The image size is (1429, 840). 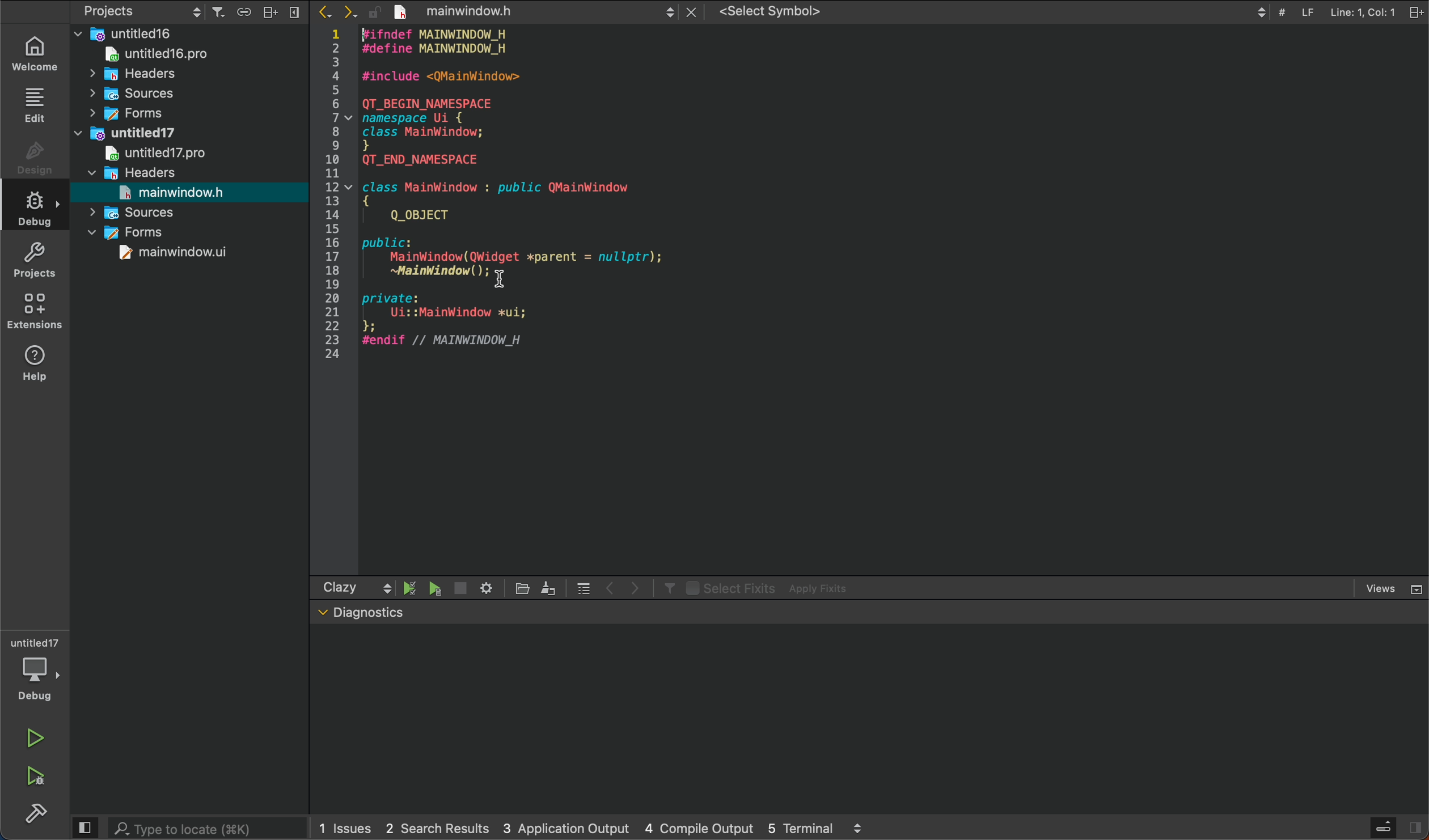 I want to click on resume, so click(x=436, y=589).